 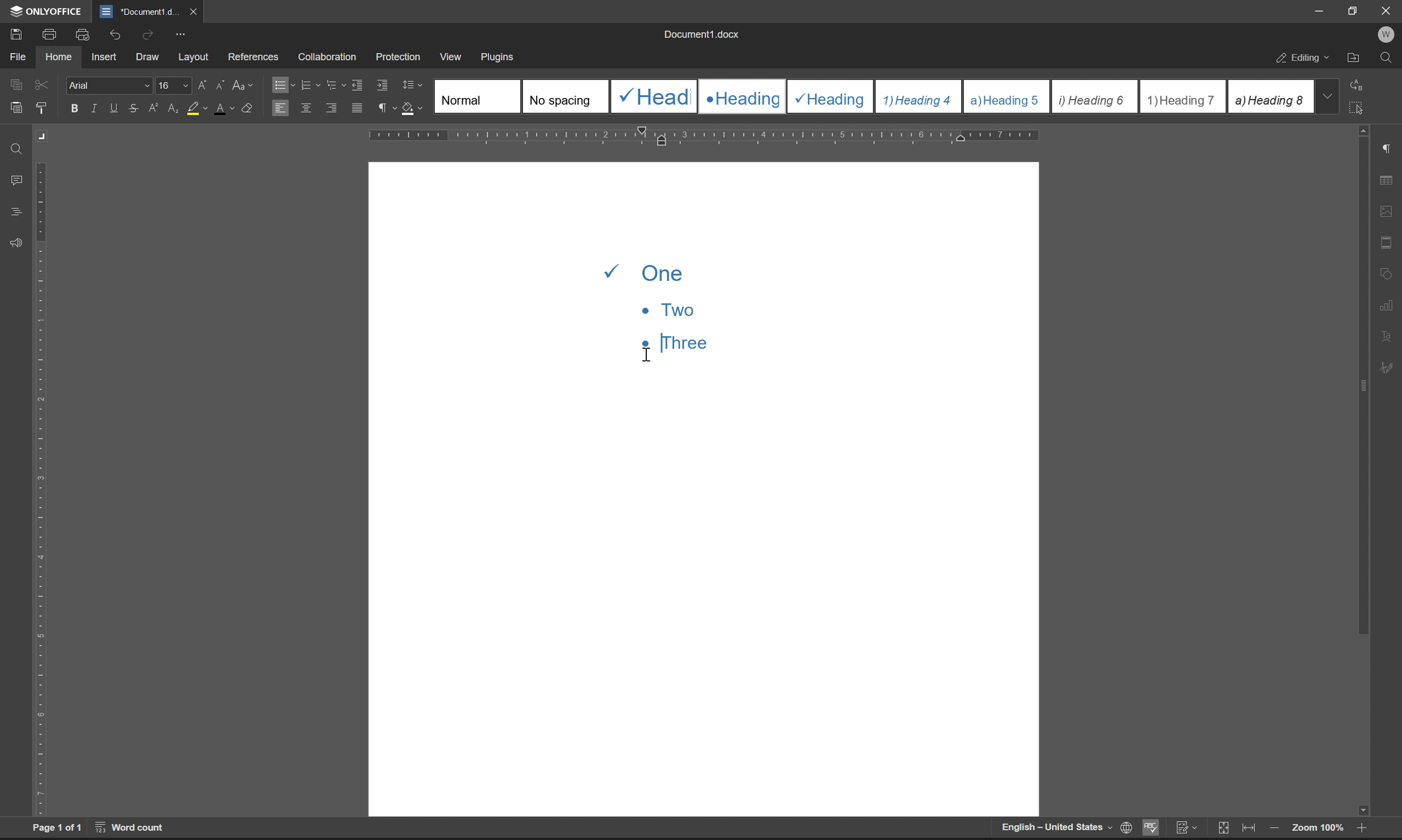 I want to click on change case, so click(x=244, y=84).